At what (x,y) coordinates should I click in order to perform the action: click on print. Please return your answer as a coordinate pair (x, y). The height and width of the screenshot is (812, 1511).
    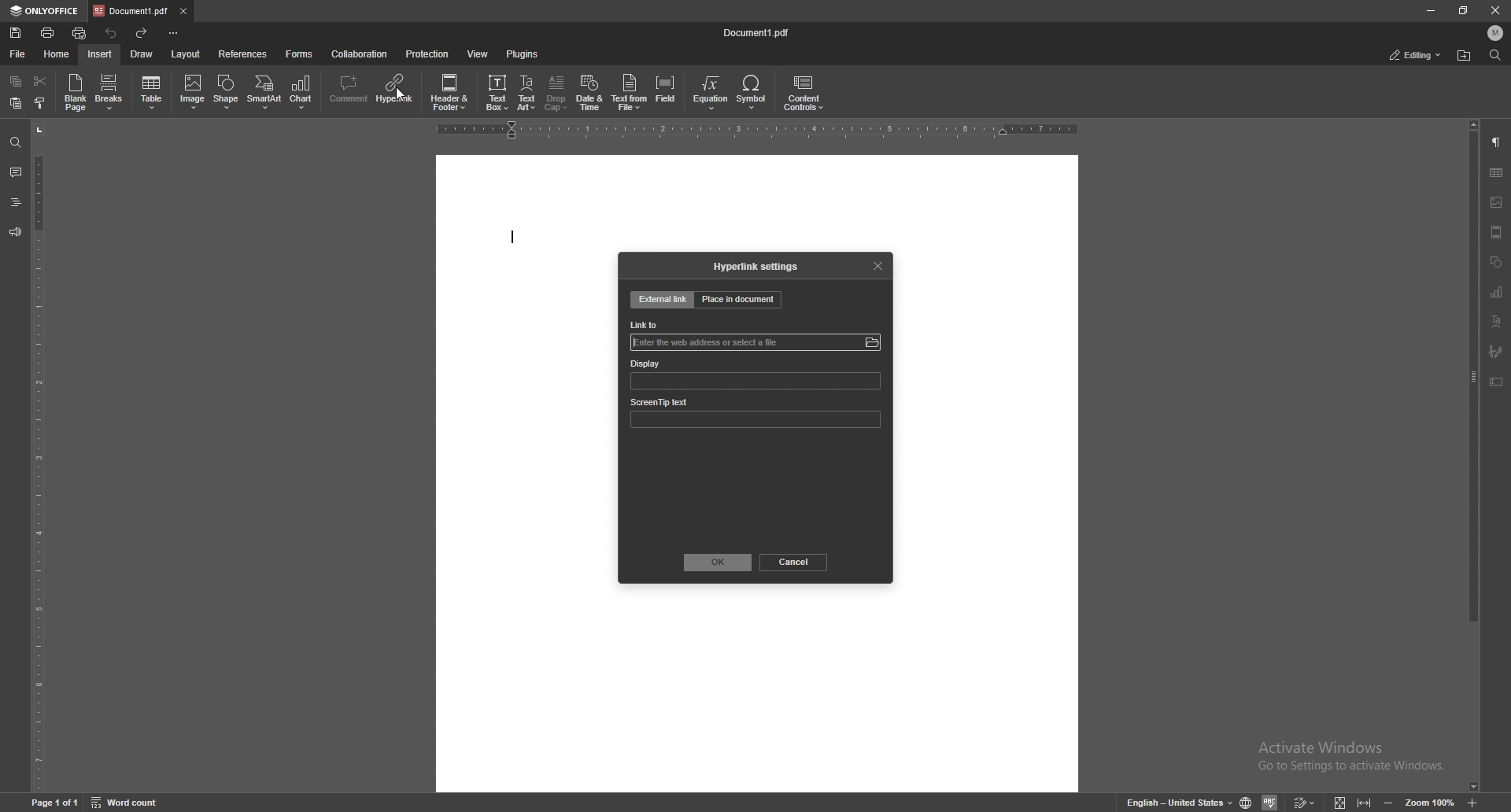
    Looking at the image, I should click on (49, 32).